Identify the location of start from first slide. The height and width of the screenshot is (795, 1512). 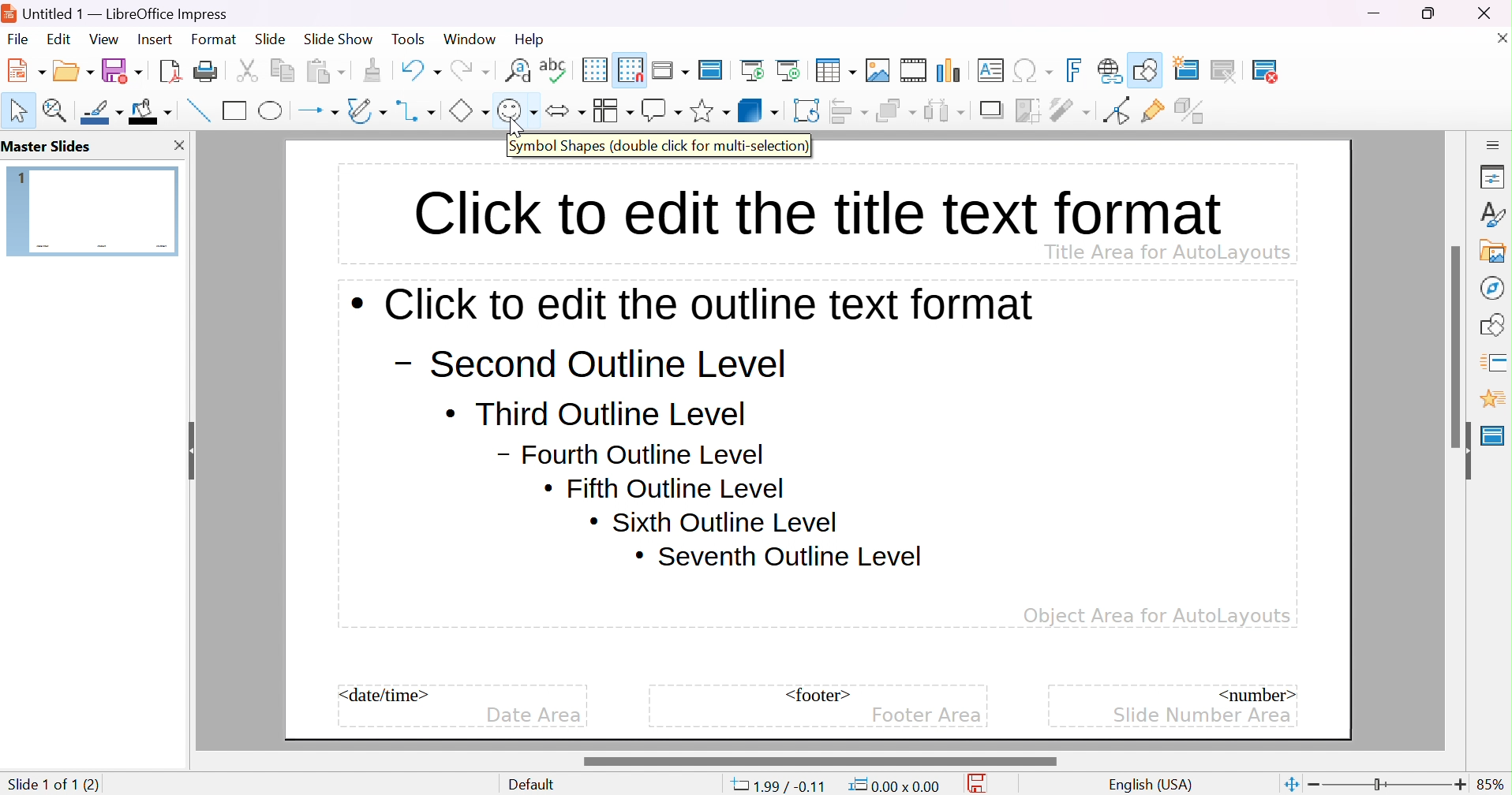
(754, 69).